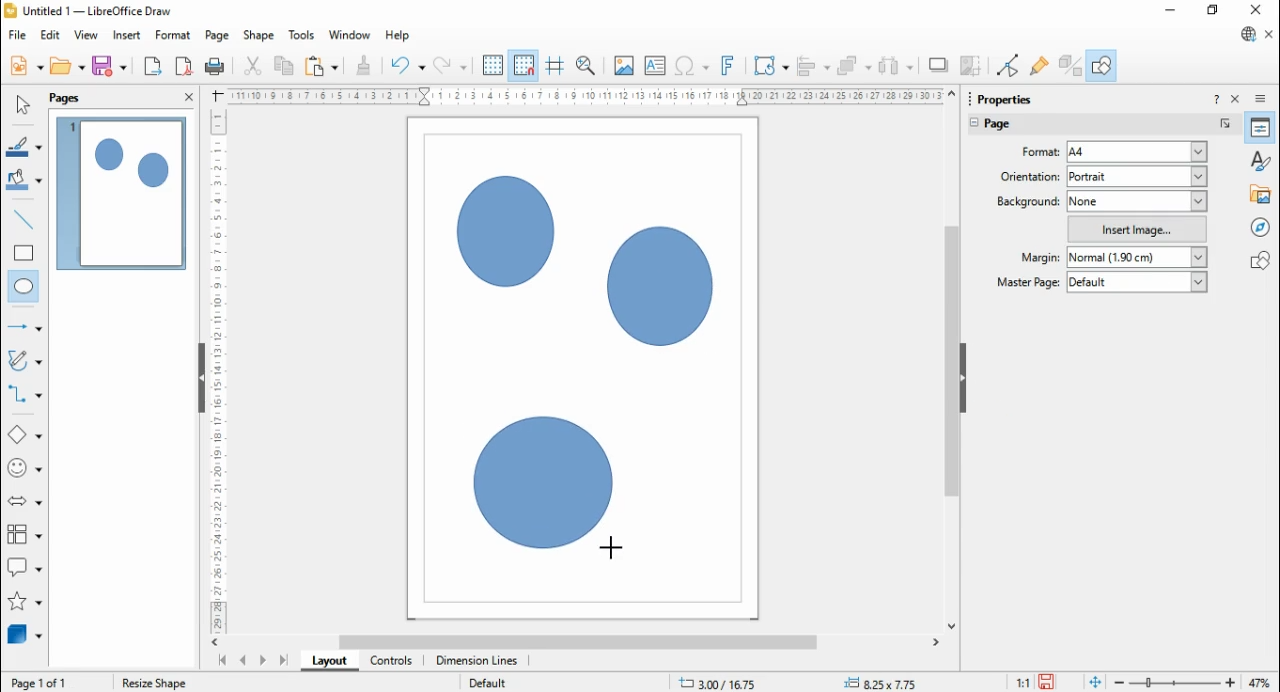 The image size is (1280, 692). What do you see at coordinates (719, 682) in the screenshot?
I see ` .11.58/ 13.41` at bounding box center [719, 682].